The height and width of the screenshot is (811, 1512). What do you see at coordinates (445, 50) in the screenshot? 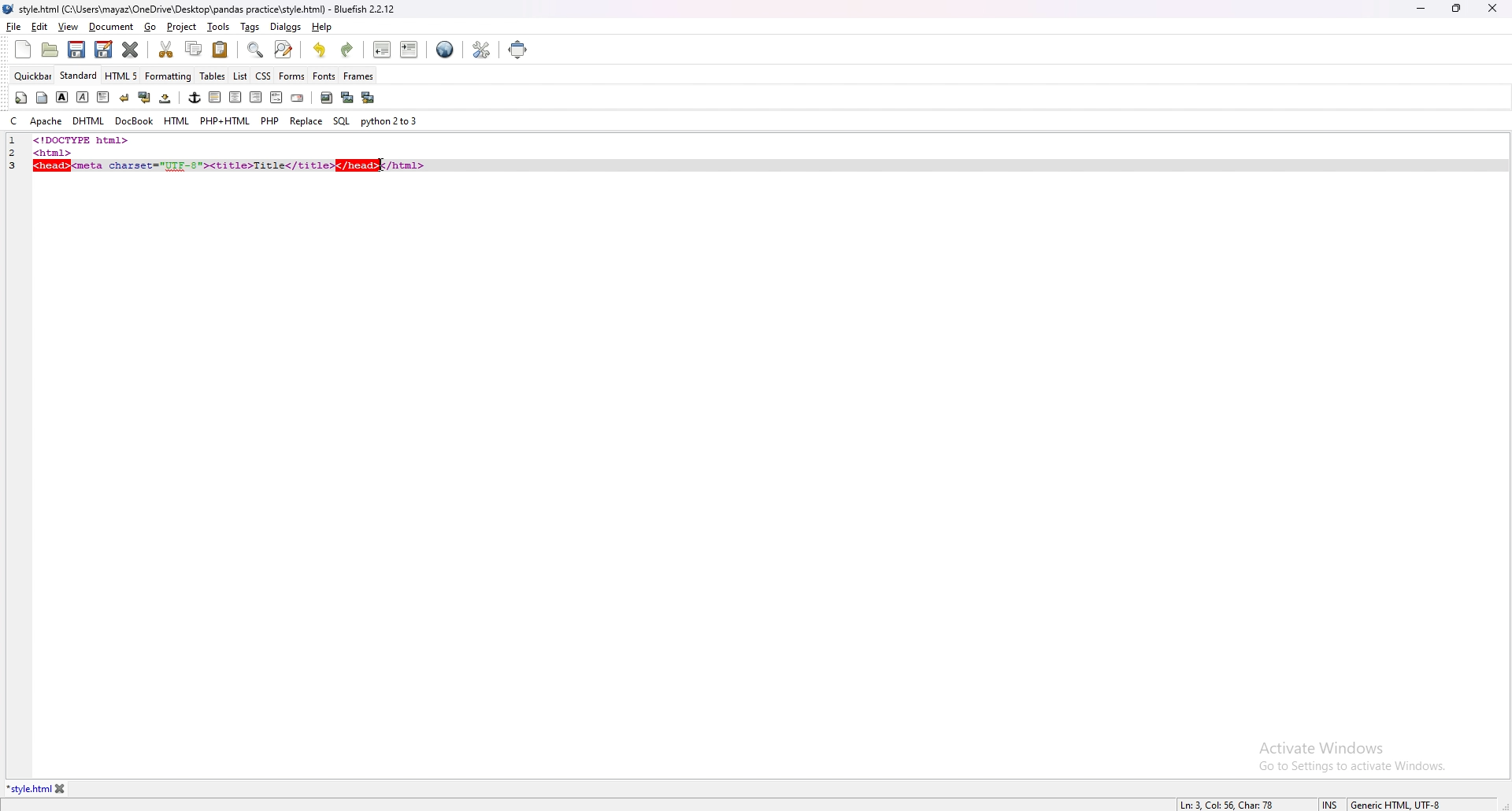
I see `web preview` at bounding box center [445, 50].